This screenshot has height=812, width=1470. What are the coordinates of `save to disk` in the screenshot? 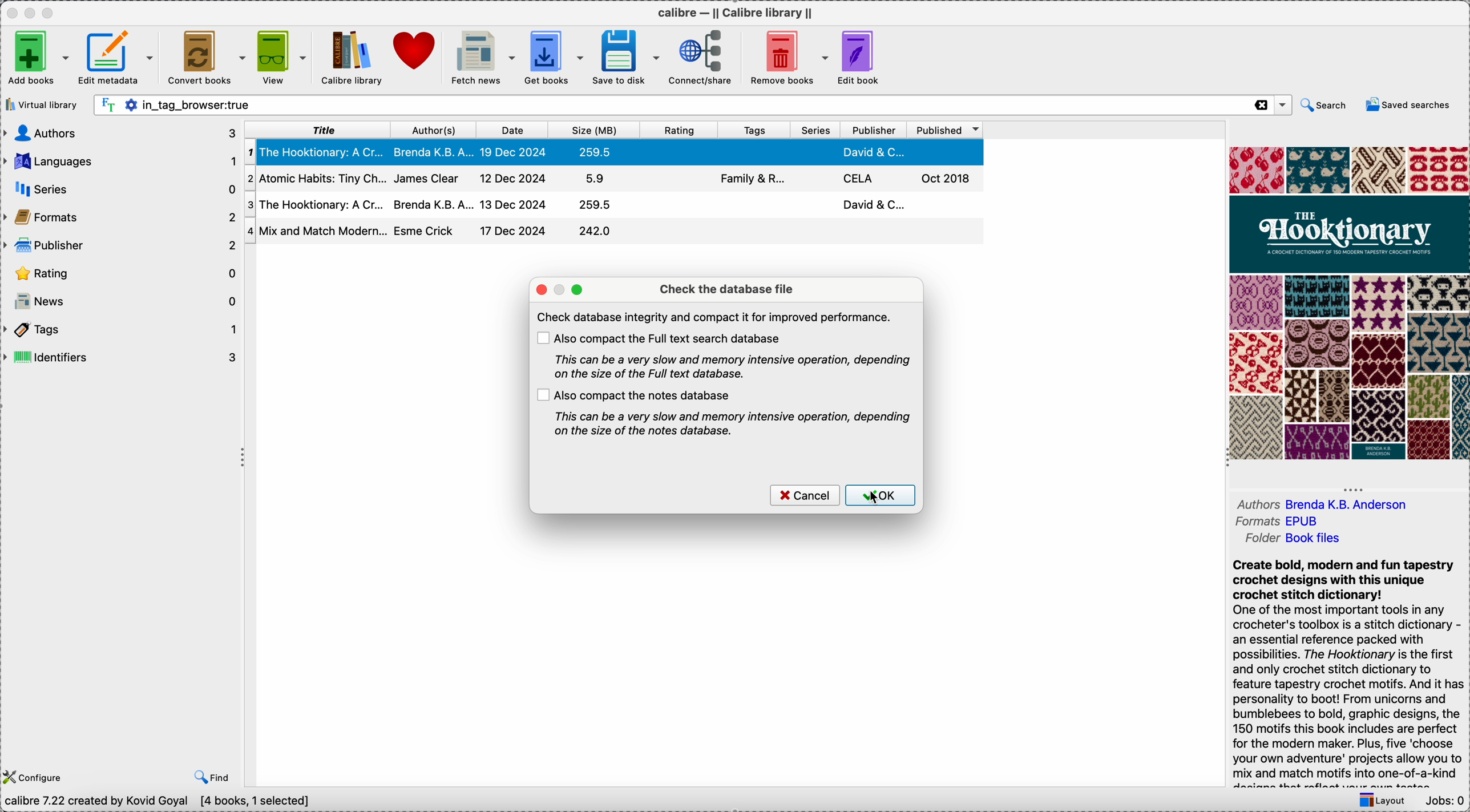 It's located at (627, 58).